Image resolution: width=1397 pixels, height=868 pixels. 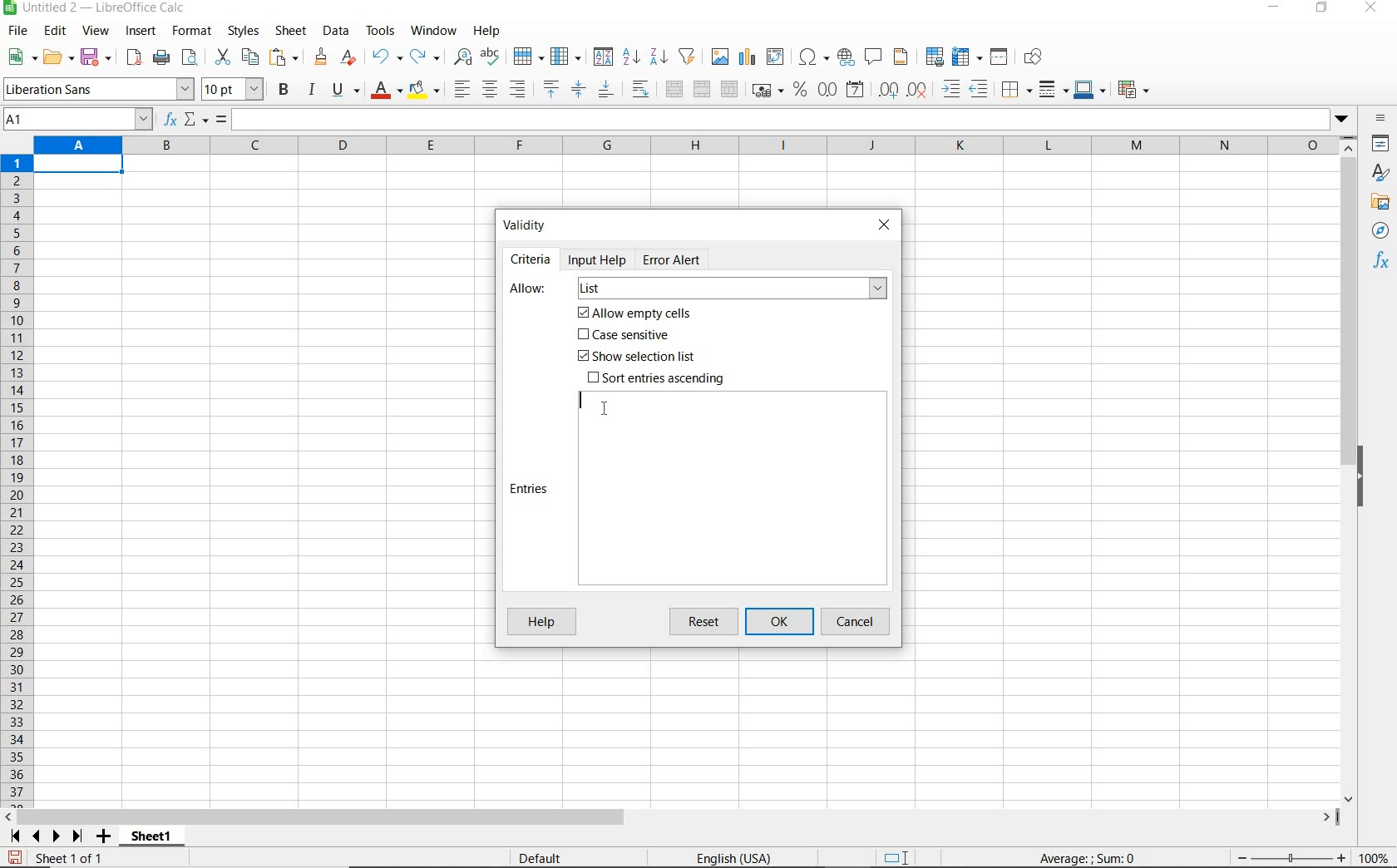 What do you see at coordinates (846, 56) in the screenshot?
I see `insert hyperlink` at bounding box center [846, 56].